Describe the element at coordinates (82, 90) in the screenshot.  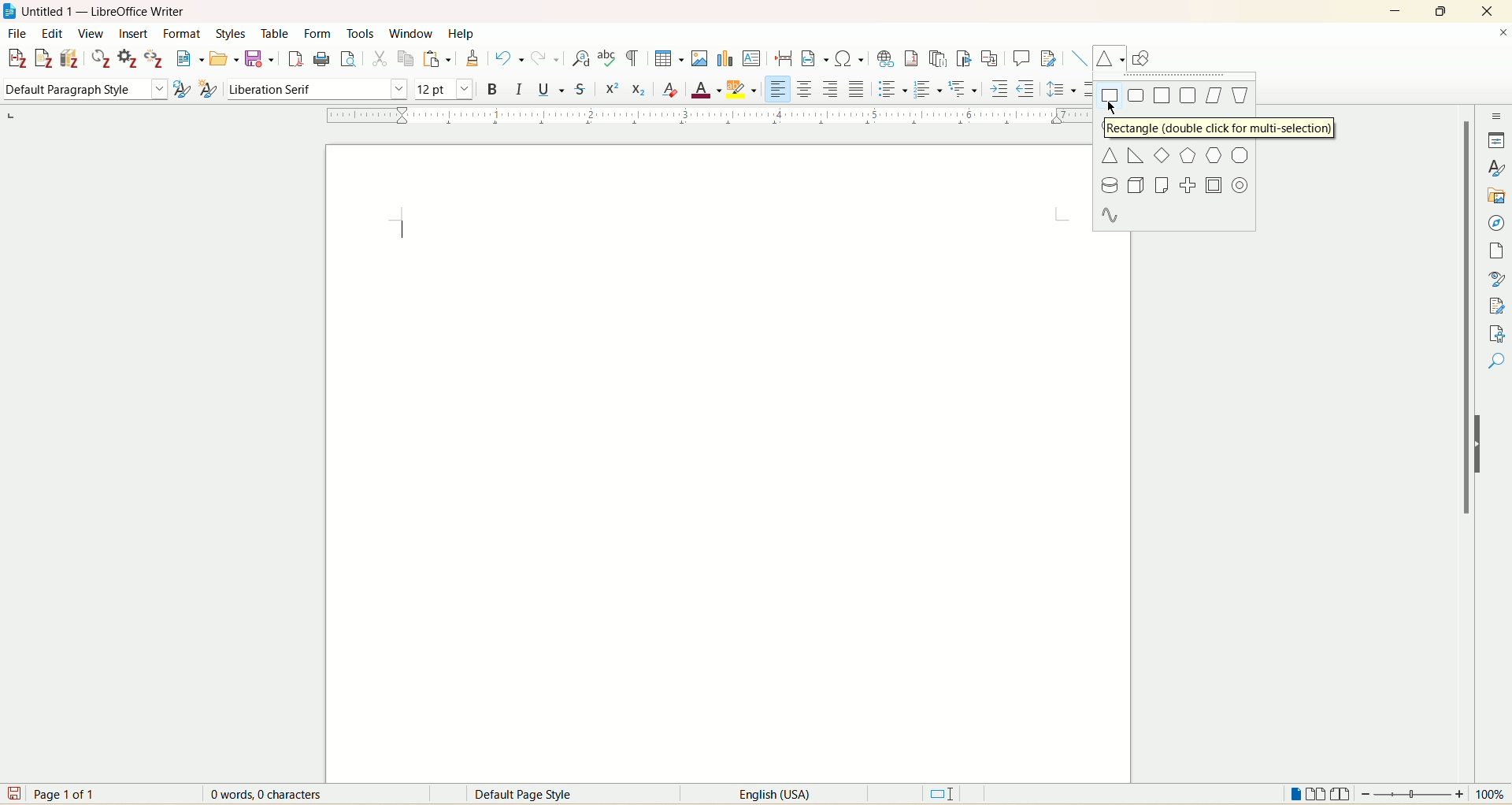
I see `paragraph style` at that location.